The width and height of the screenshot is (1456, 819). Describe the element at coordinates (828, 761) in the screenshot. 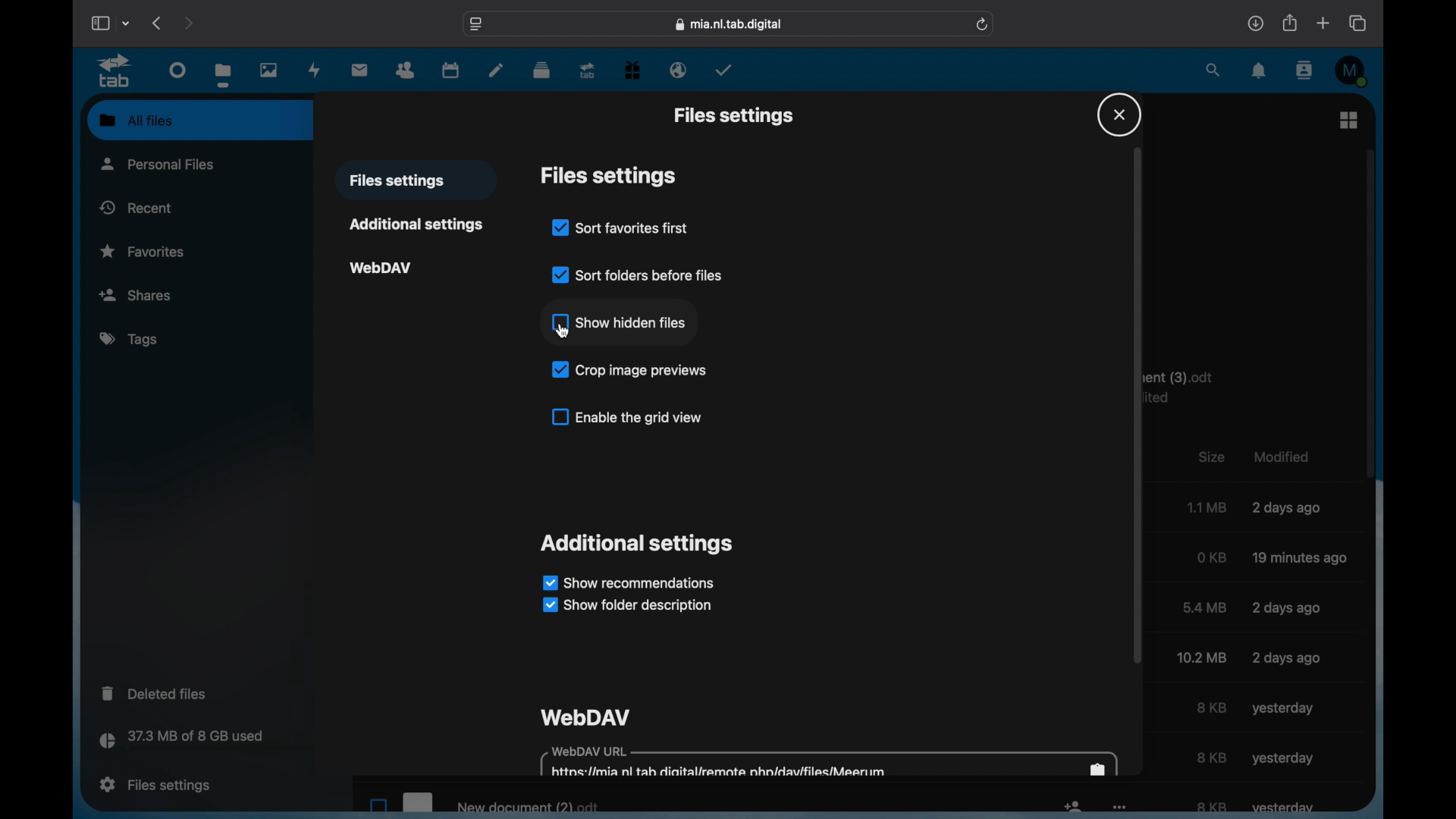

I see `webdav url` at that location.